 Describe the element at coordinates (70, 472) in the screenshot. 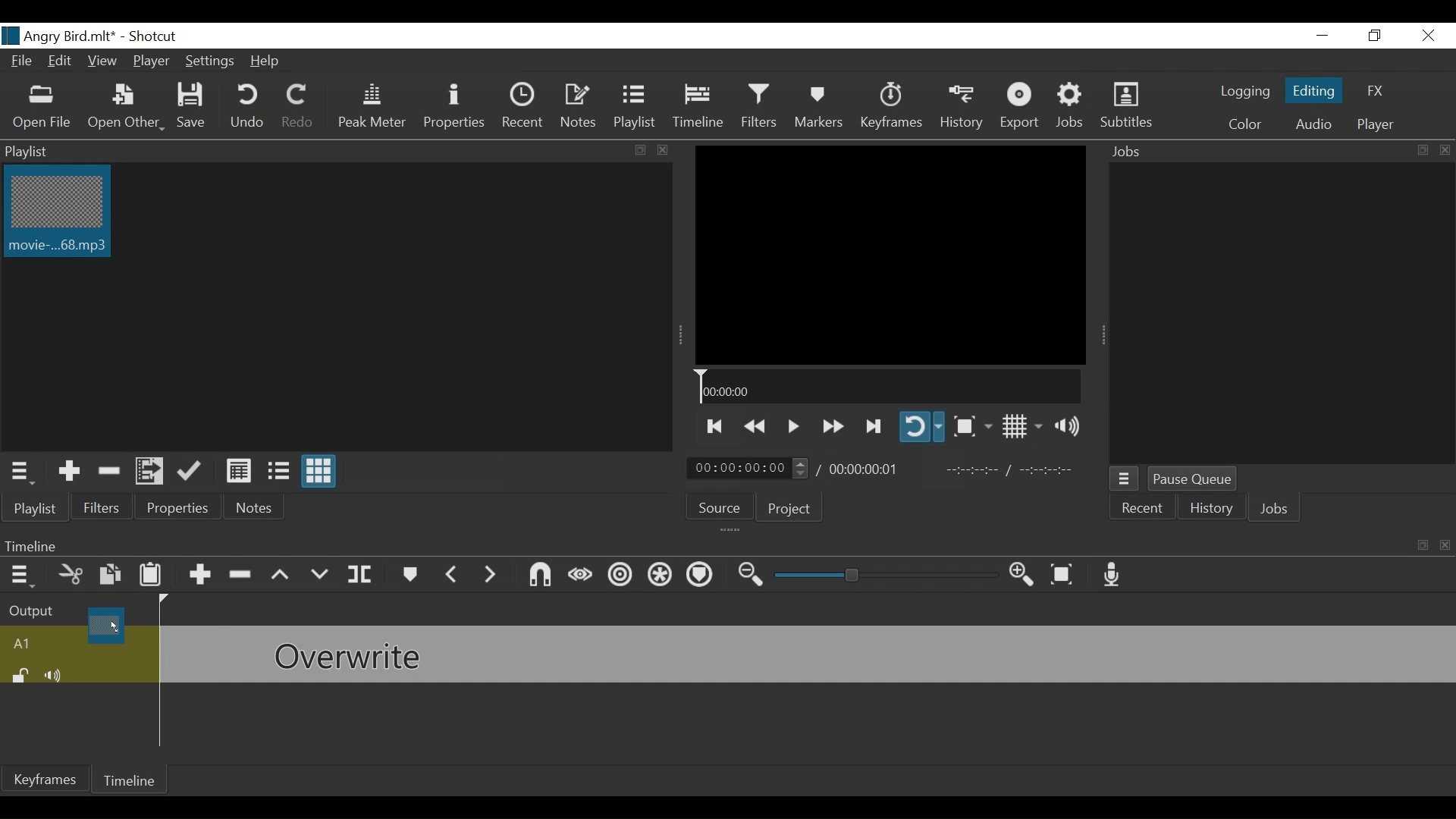

I see `Add the Source to the playlist` at that location.